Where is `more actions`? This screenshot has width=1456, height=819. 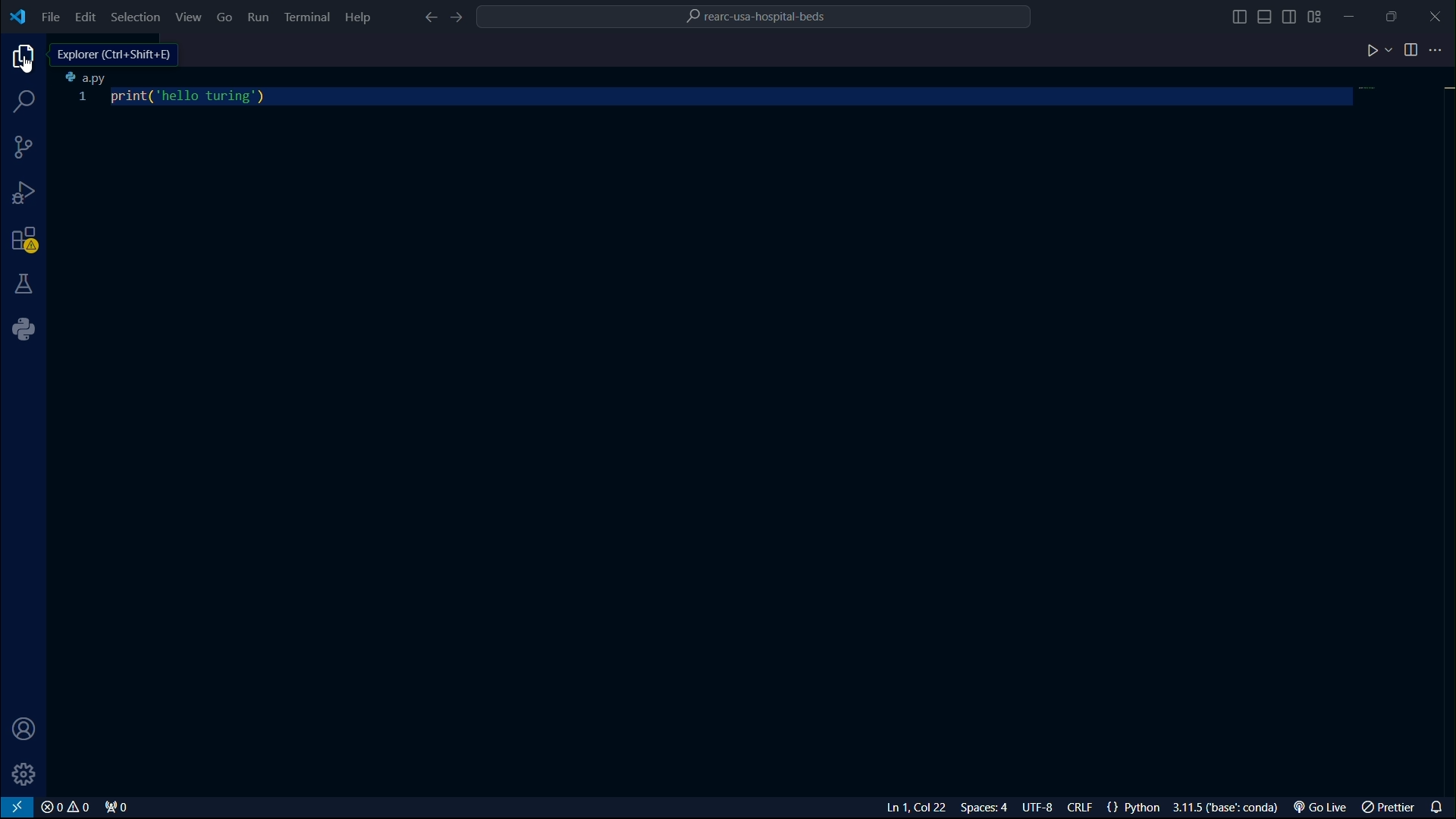 more actions is located at coordinates (1439, 50).